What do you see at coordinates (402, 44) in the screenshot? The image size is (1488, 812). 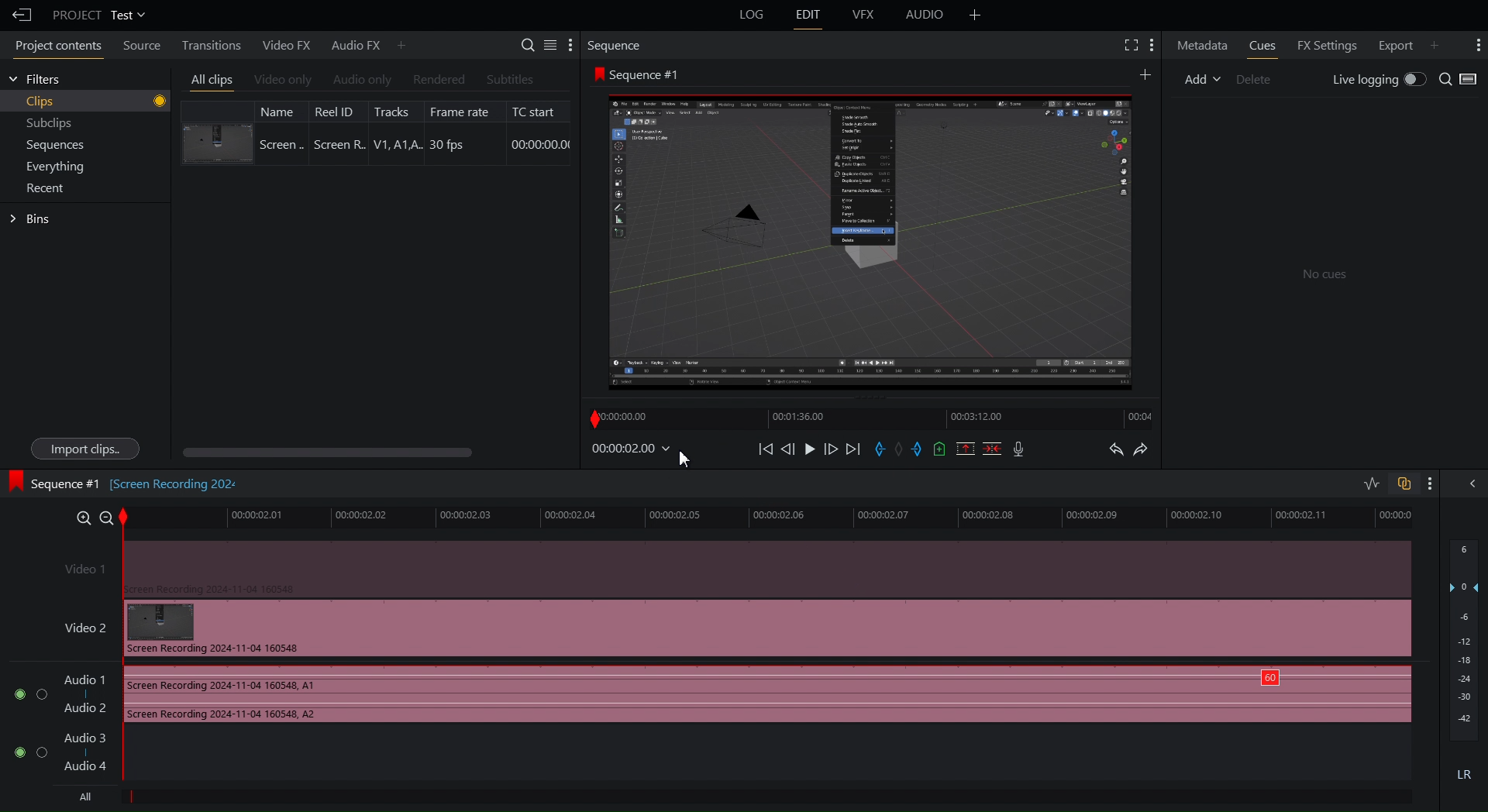 I see `More` at bounding box center [402, 44].